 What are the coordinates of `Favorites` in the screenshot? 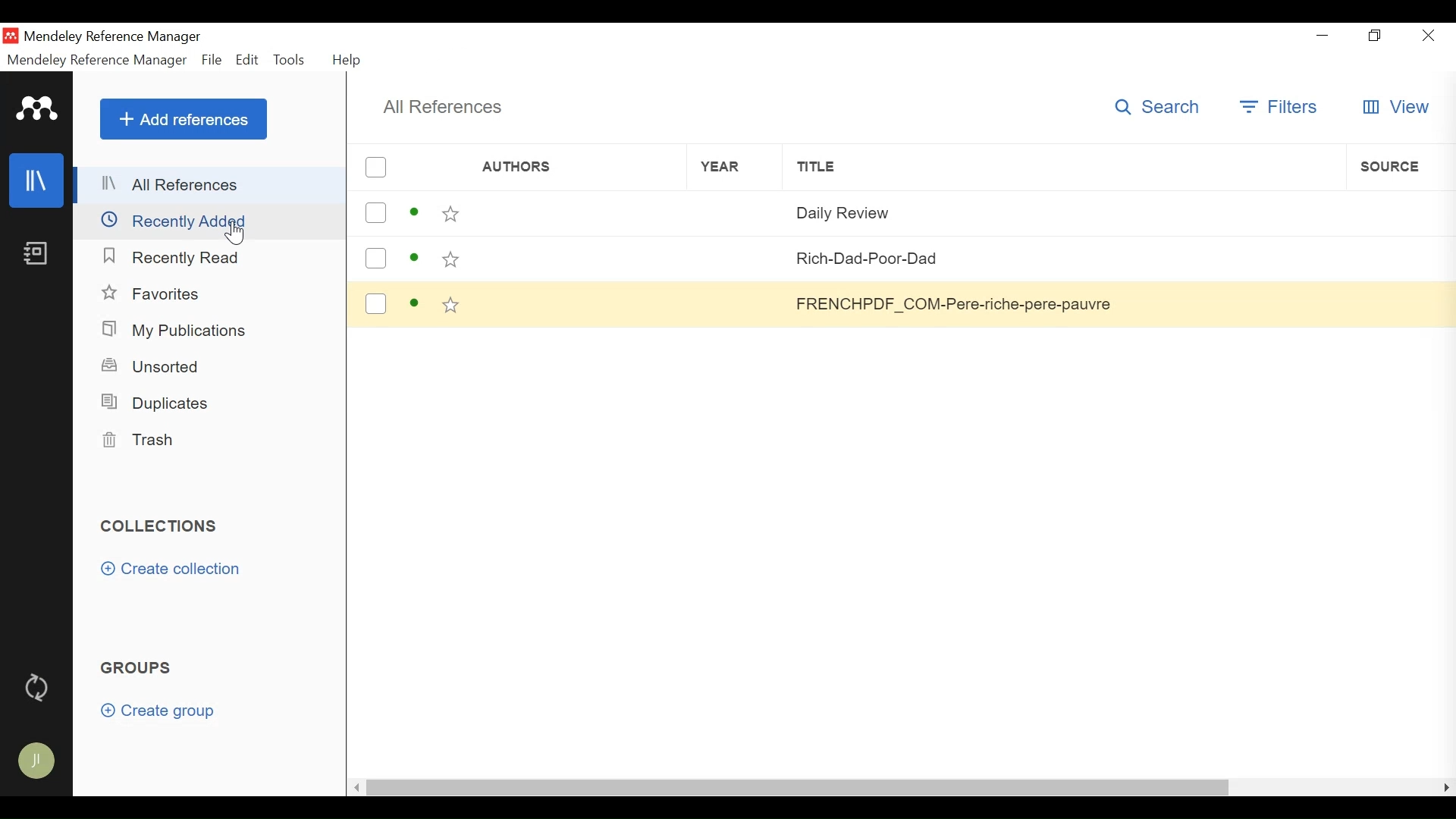 It's located at (155, 293).